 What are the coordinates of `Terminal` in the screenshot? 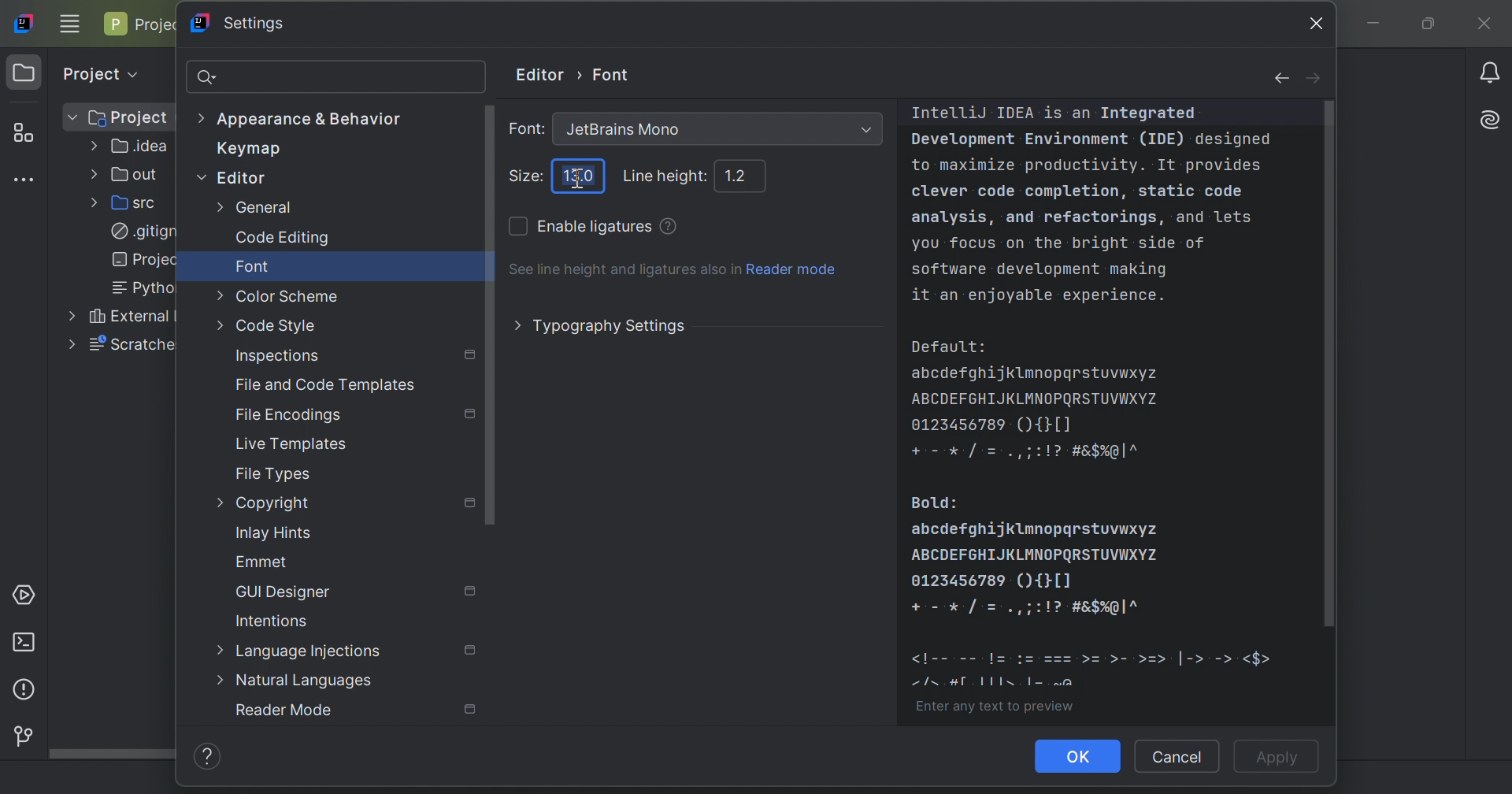 It's located at (28, 642).